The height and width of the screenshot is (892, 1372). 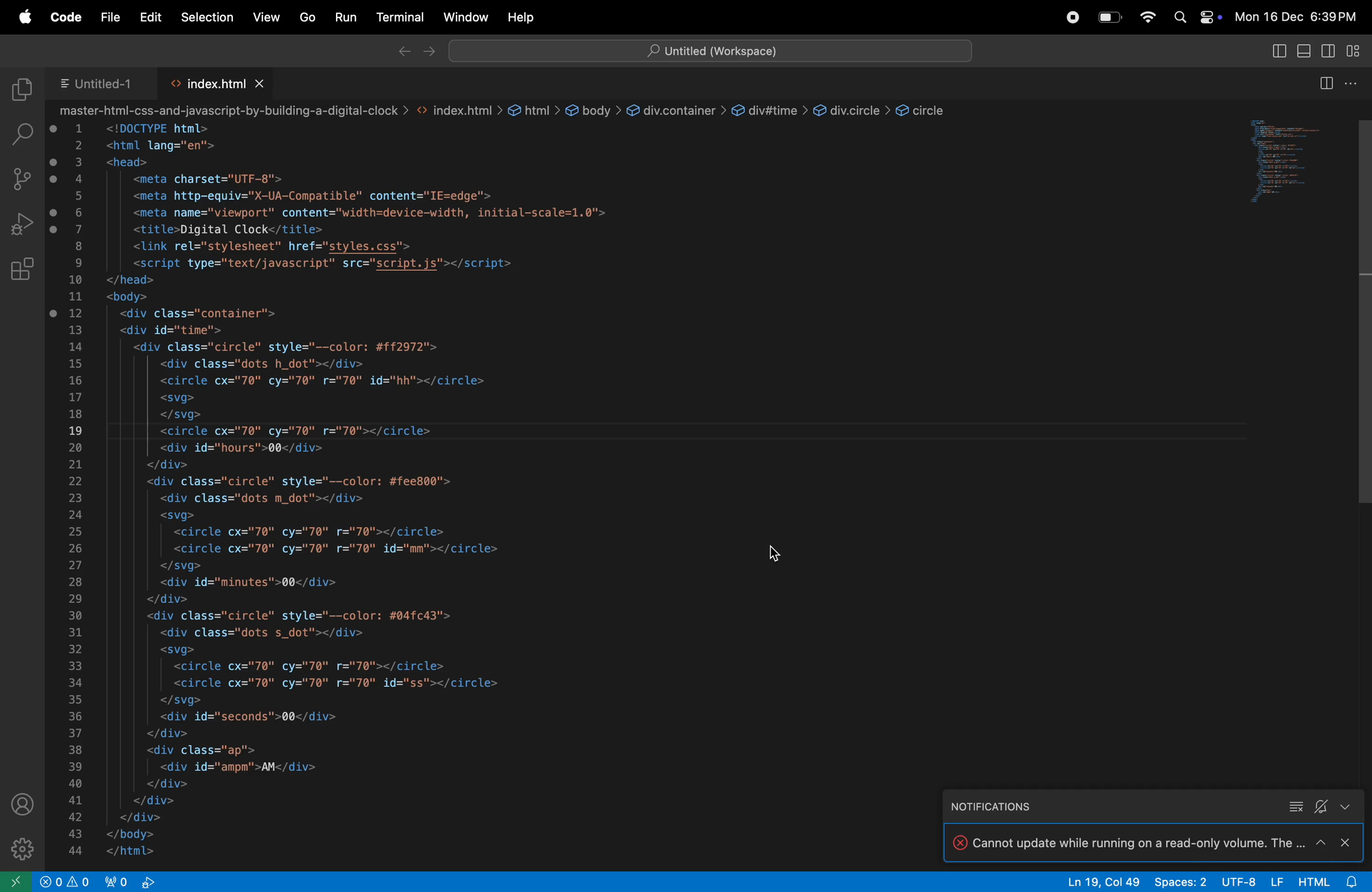 What do you see at coordinates (1305, 50) in the screenshot?
I see `primary sidebar` at bounding box center [1305, 50].